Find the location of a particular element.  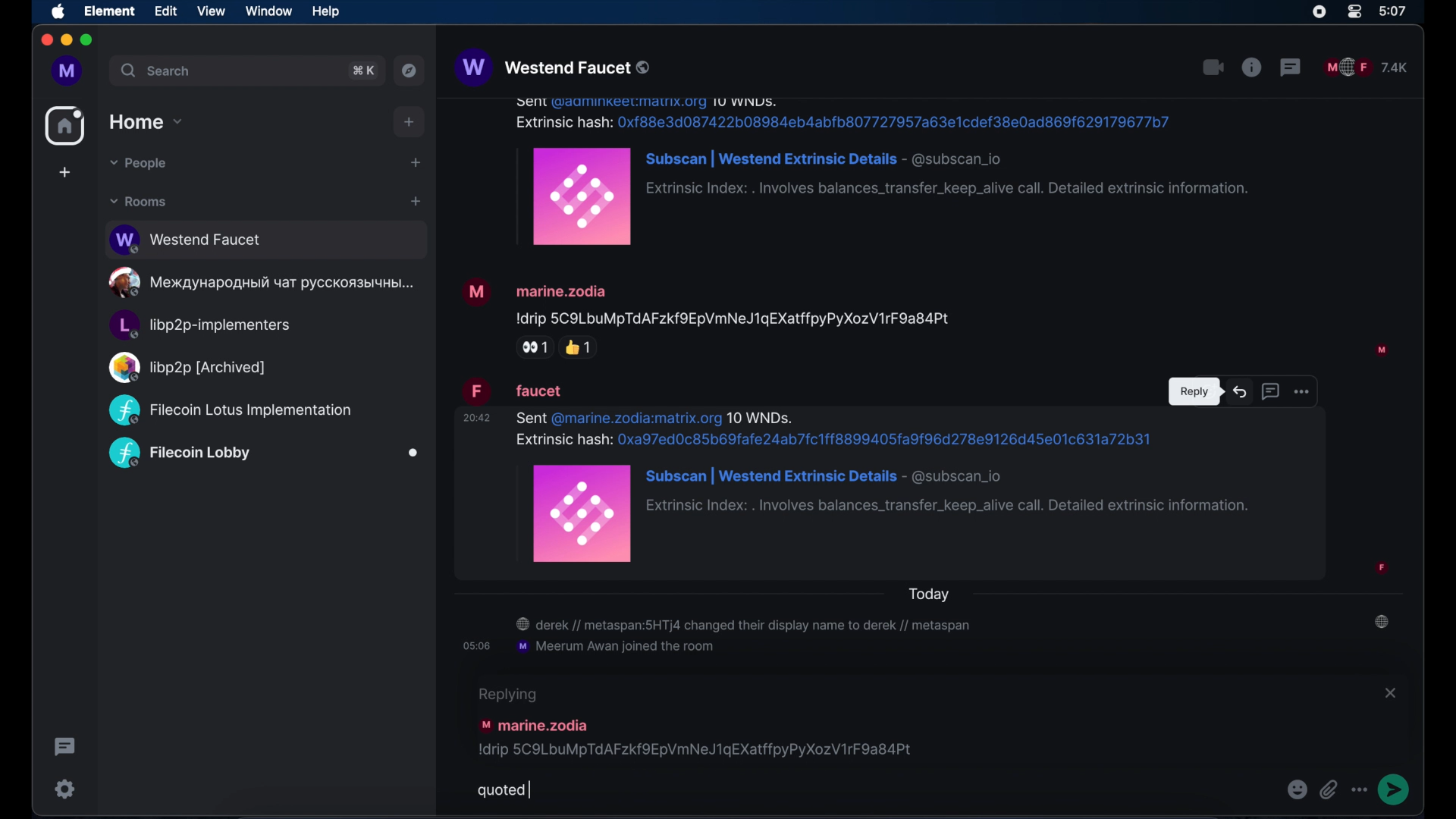

reply in thread is located at coordinates (1270, 391).